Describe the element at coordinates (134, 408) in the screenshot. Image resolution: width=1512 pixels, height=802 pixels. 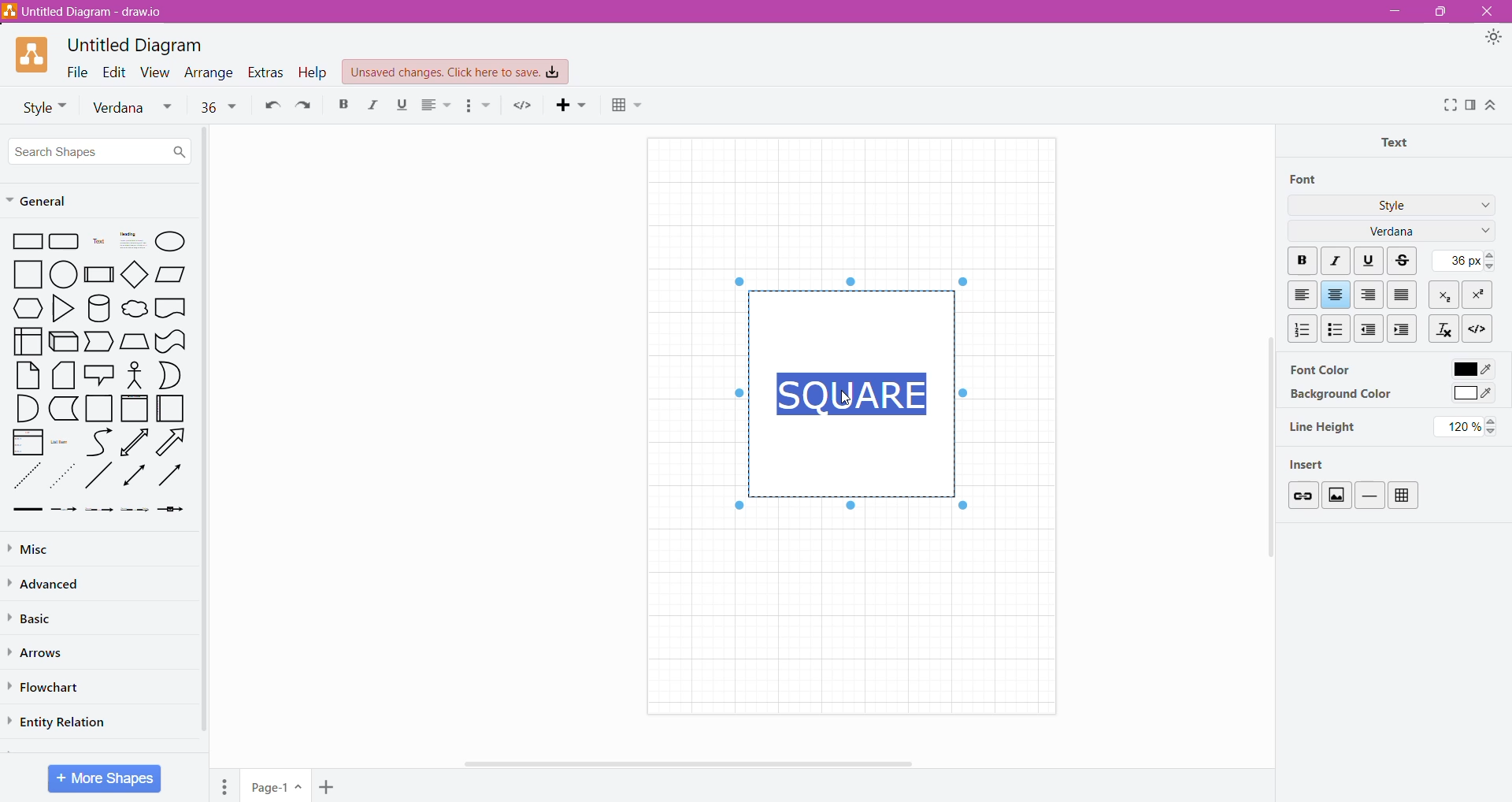
I see `frame` at that location.